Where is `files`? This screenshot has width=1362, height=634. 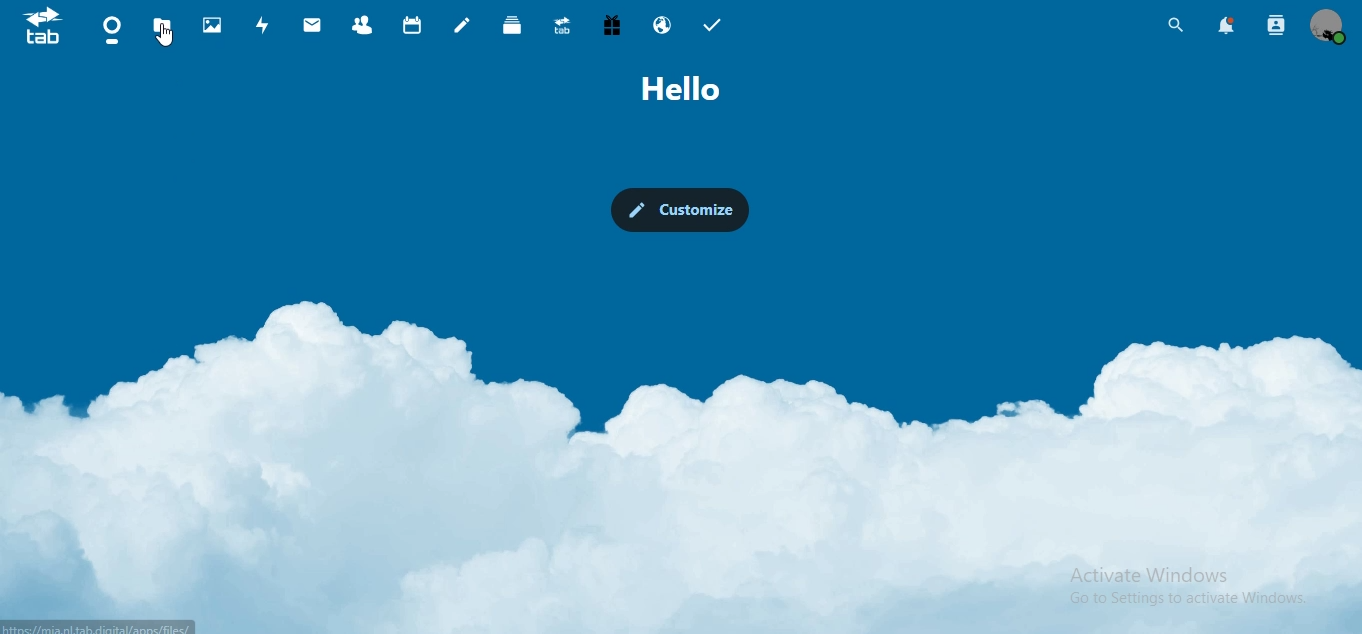 files is located at coordinates (161, 27).